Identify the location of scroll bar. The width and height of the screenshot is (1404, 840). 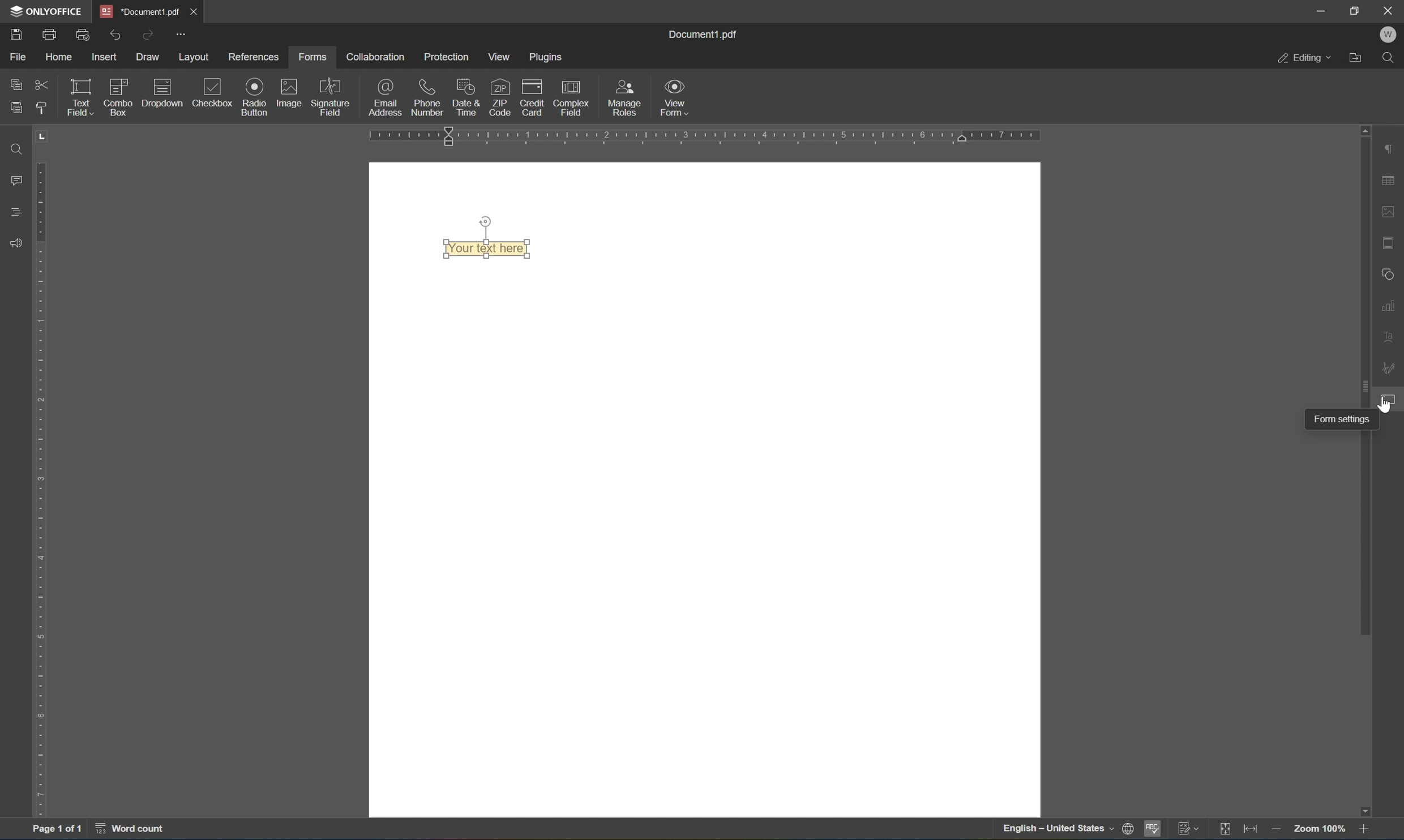
(1359, 380).